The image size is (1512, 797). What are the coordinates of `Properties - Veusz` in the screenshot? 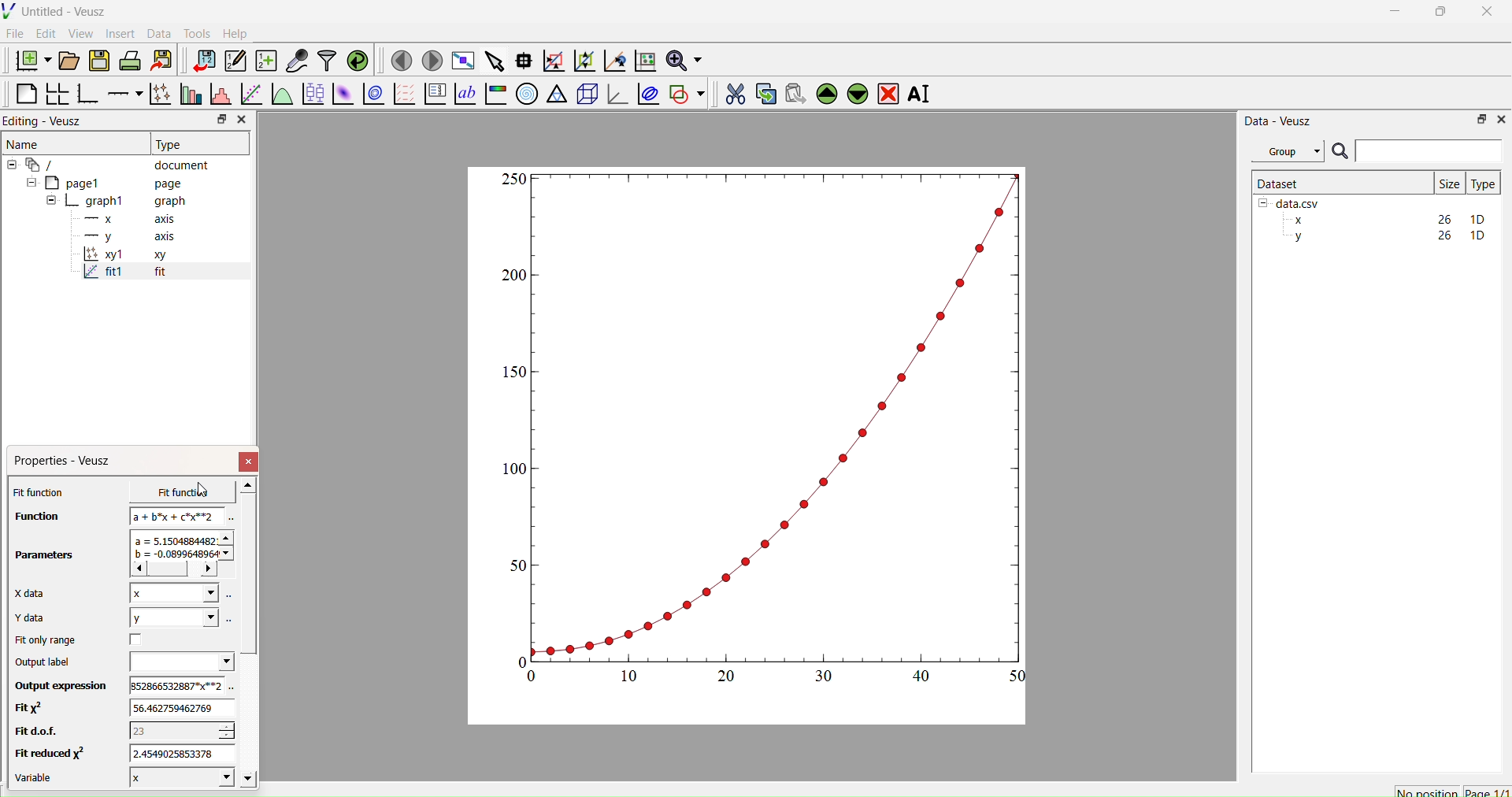 It's located at (66, 461).